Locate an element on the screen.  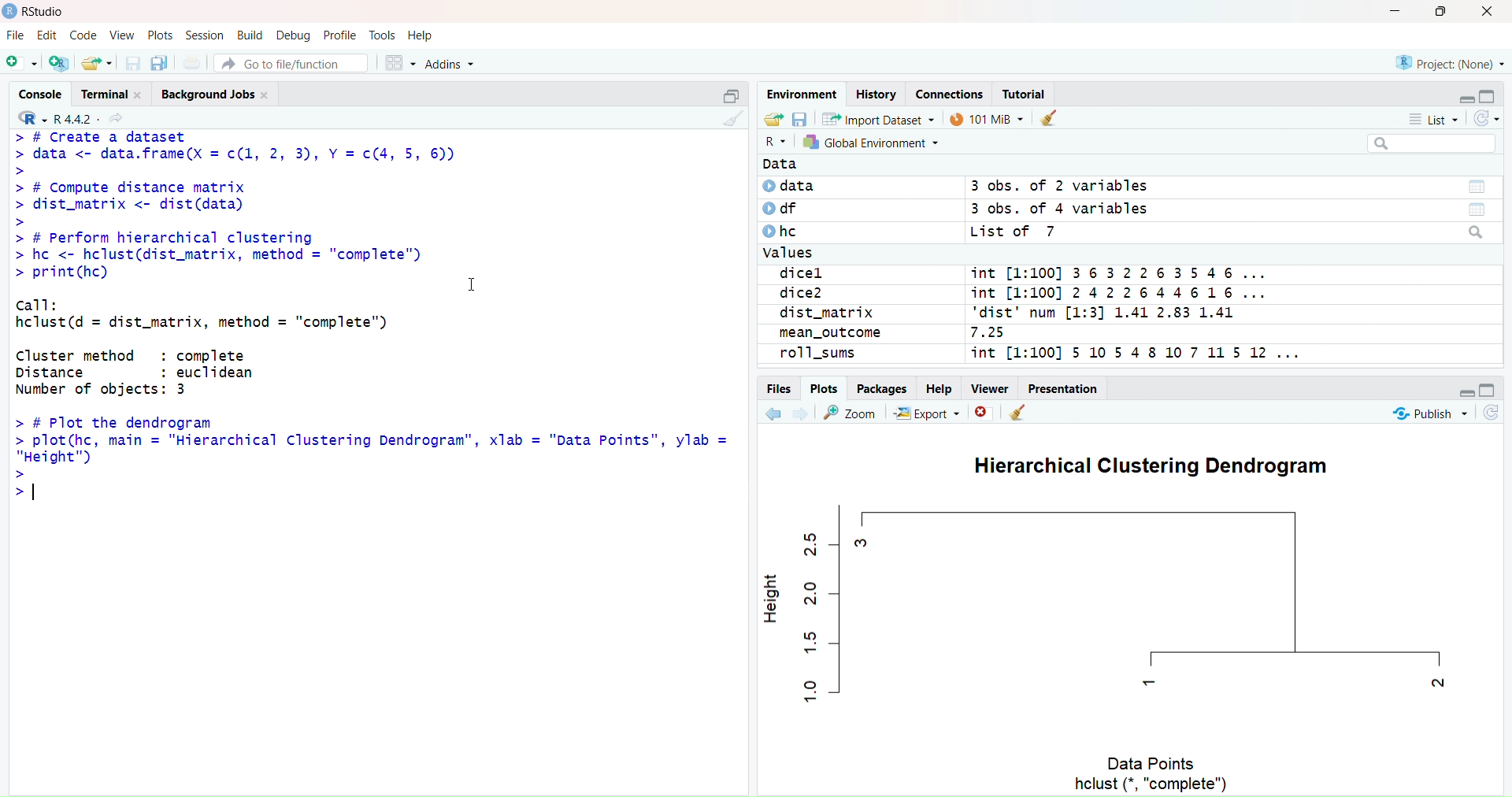
Publish is located at coordinates (1417, 413).